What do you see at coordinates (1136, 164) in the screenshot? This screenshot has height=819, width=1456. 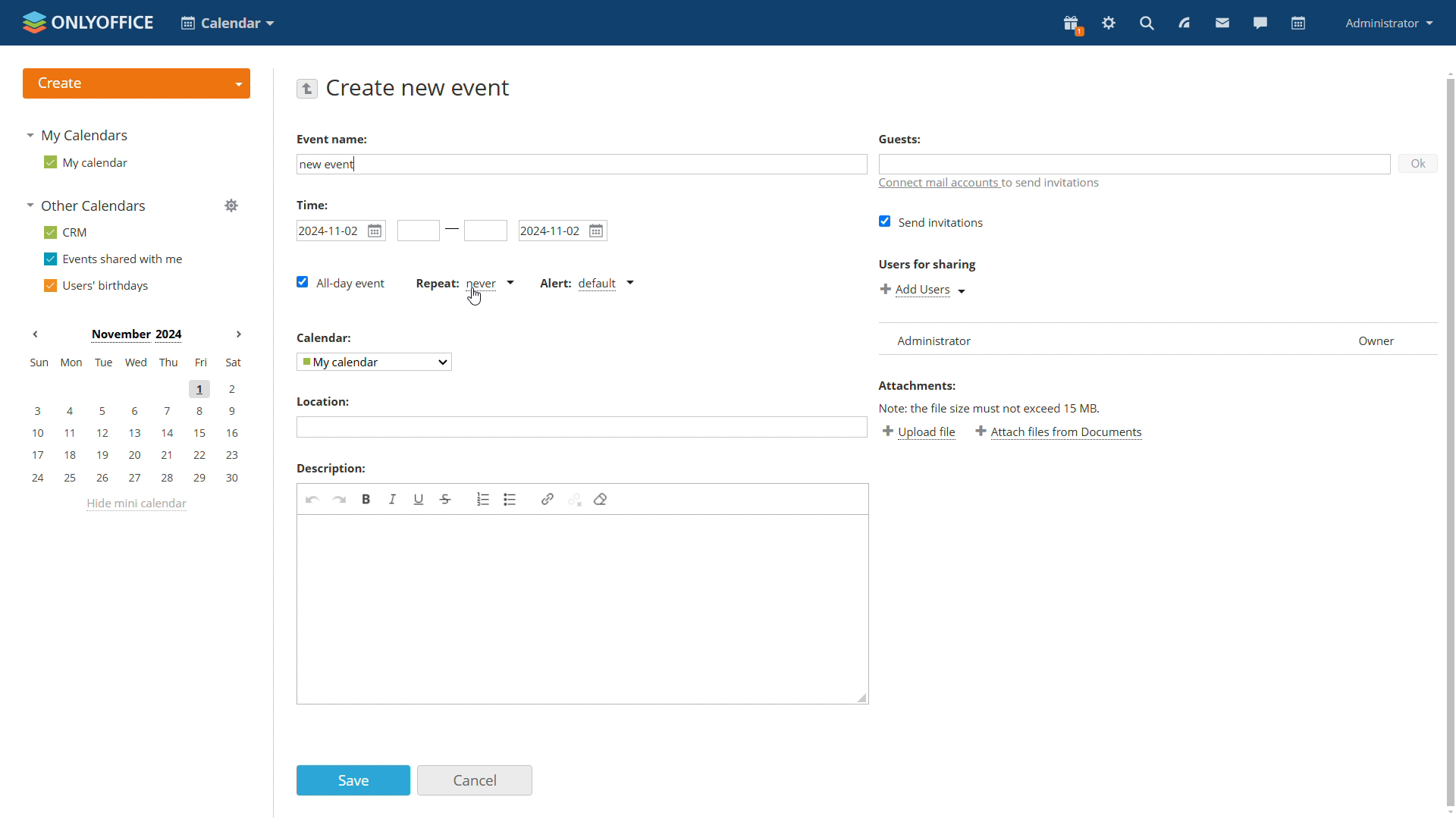 I see `add guest` at bounding box center [1136, 164].